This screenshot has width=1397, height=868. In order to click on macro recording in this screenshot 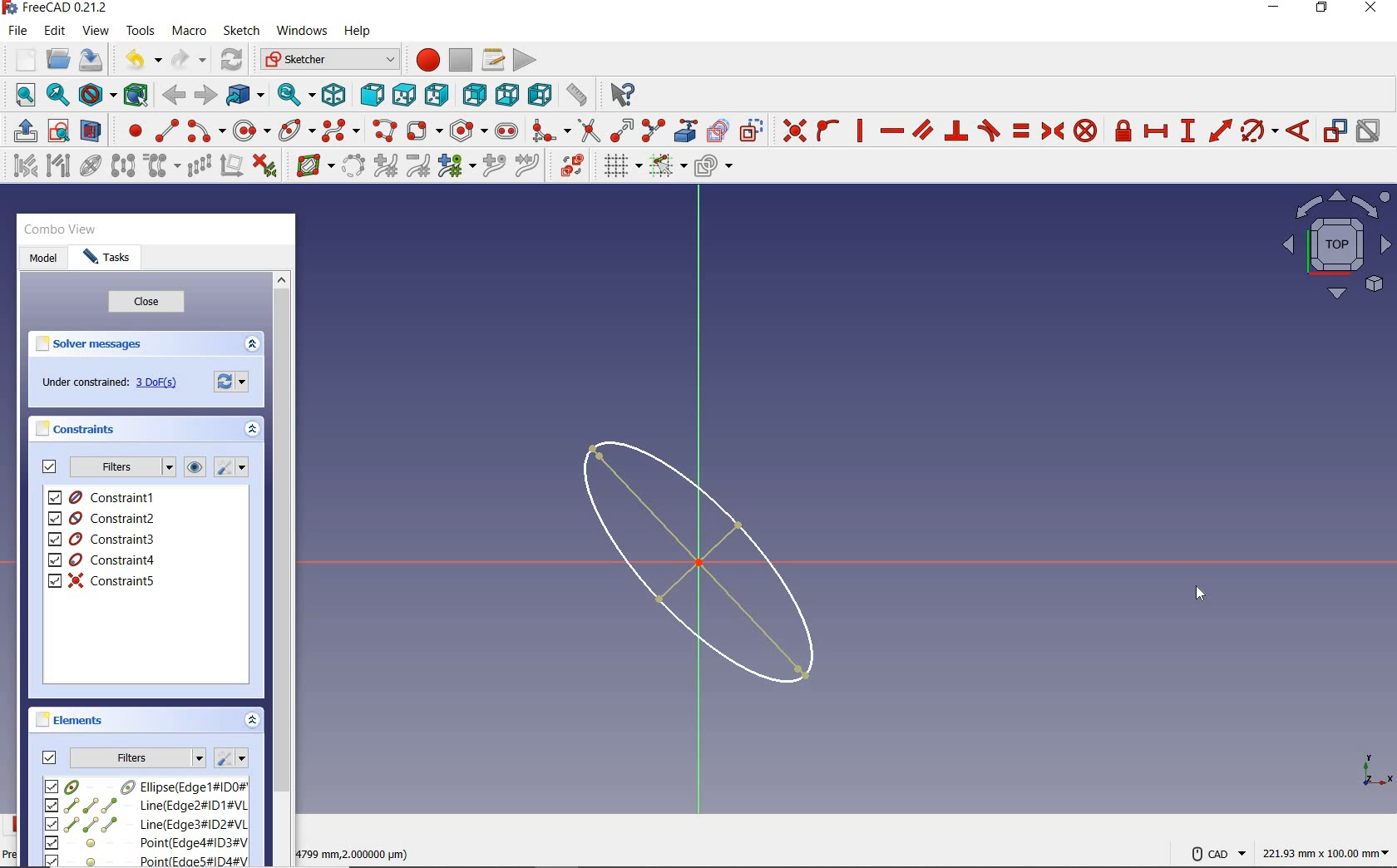, I will do `click(422, 59)`.